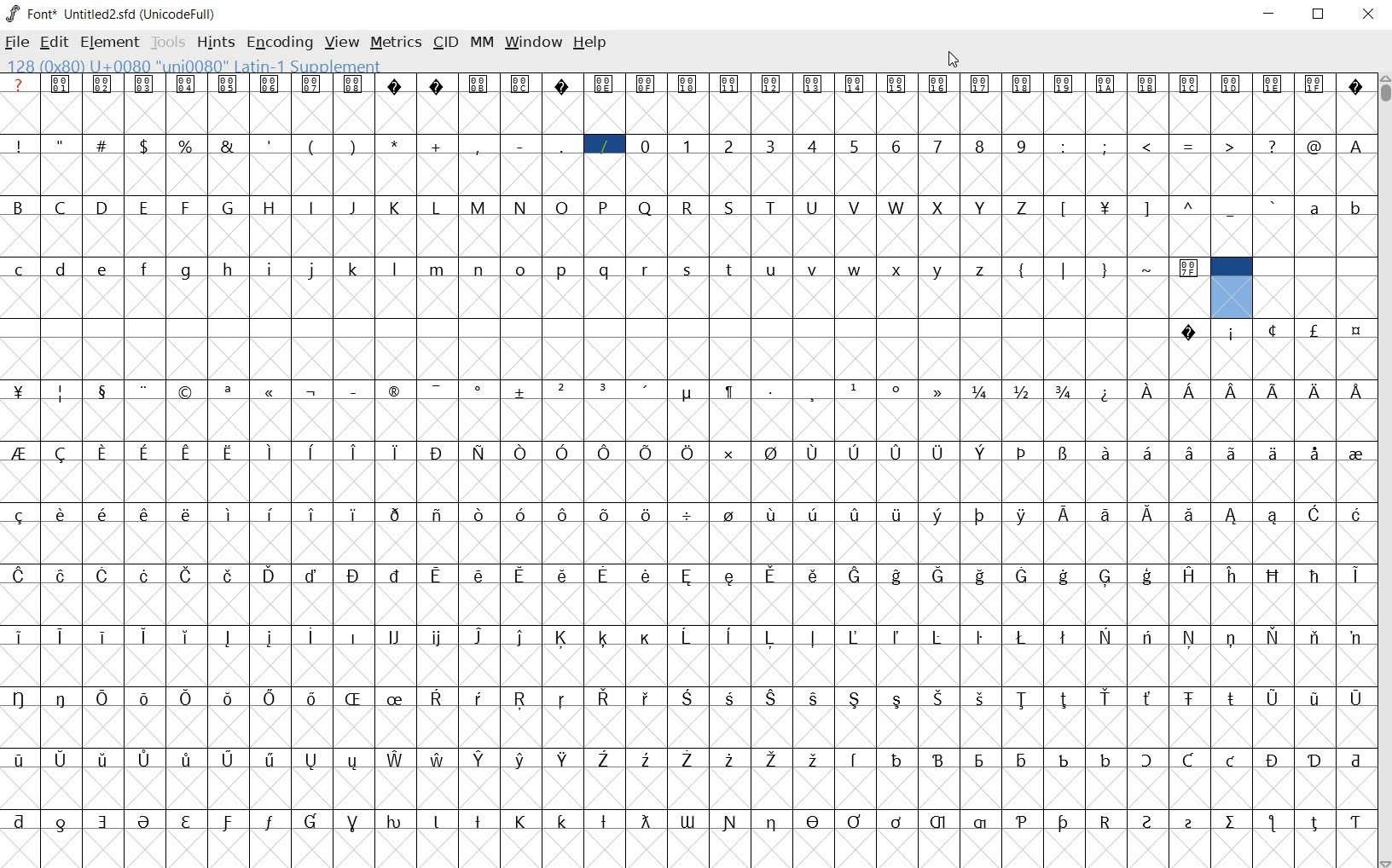 The height and width of the screenshot is (868, 1392). I want to click on metrics, so click(397, 42).